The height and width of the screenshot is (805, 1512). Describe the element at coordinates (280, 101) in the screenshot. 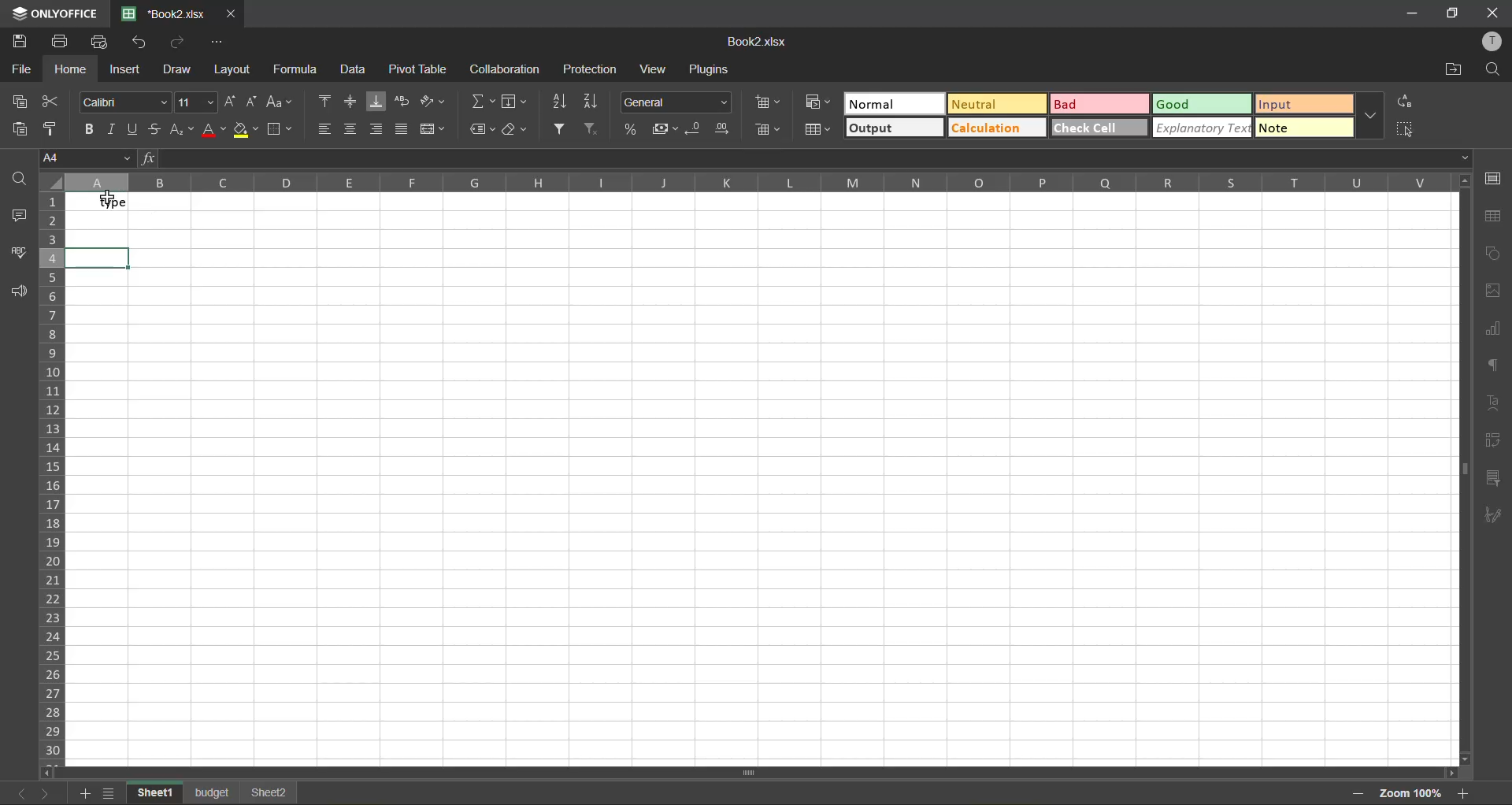

I see `change case` at that location.